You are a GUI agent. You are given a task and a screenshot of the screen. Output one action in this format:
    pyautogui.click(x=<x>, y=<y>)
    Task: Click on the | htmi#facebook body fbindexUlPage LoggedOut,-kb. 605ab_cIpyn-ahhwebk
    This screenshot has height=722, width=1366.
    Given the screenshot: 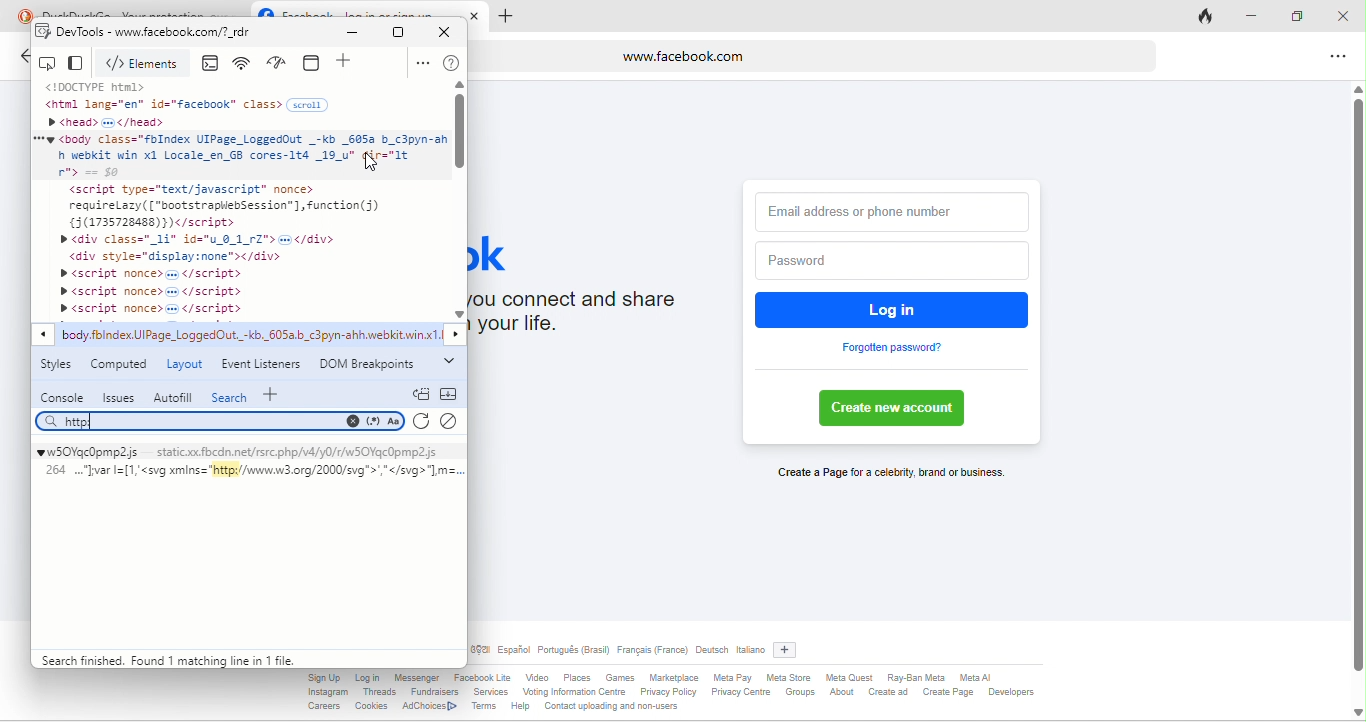 What is the action you would take?
    pyautogui.click(x=251, y=337)
    